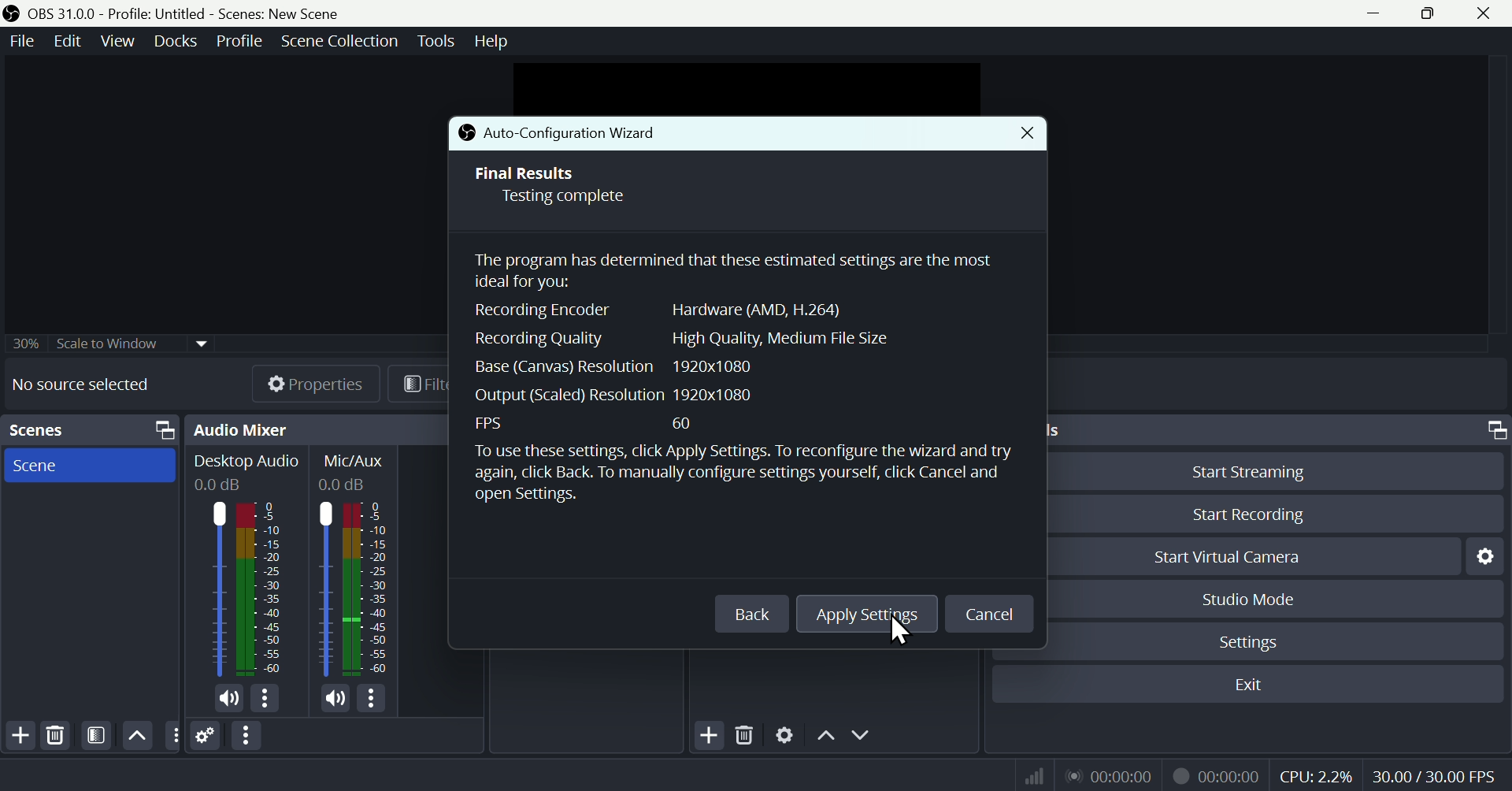  I want to click on Settings, so click(1273, 640).